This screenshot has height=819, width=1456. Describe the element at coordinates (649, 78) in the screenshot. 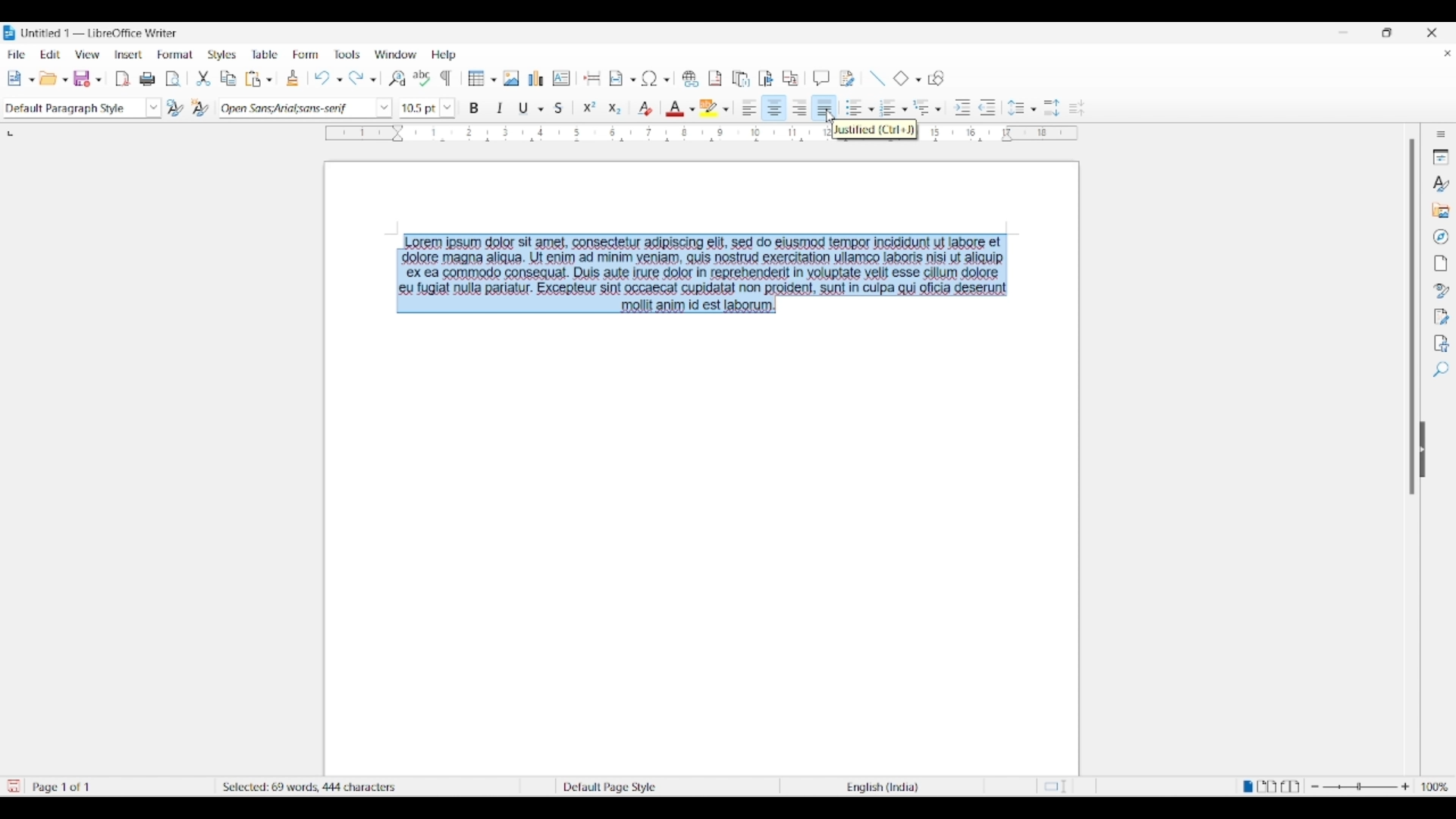

I see `Selected special character` at that location.